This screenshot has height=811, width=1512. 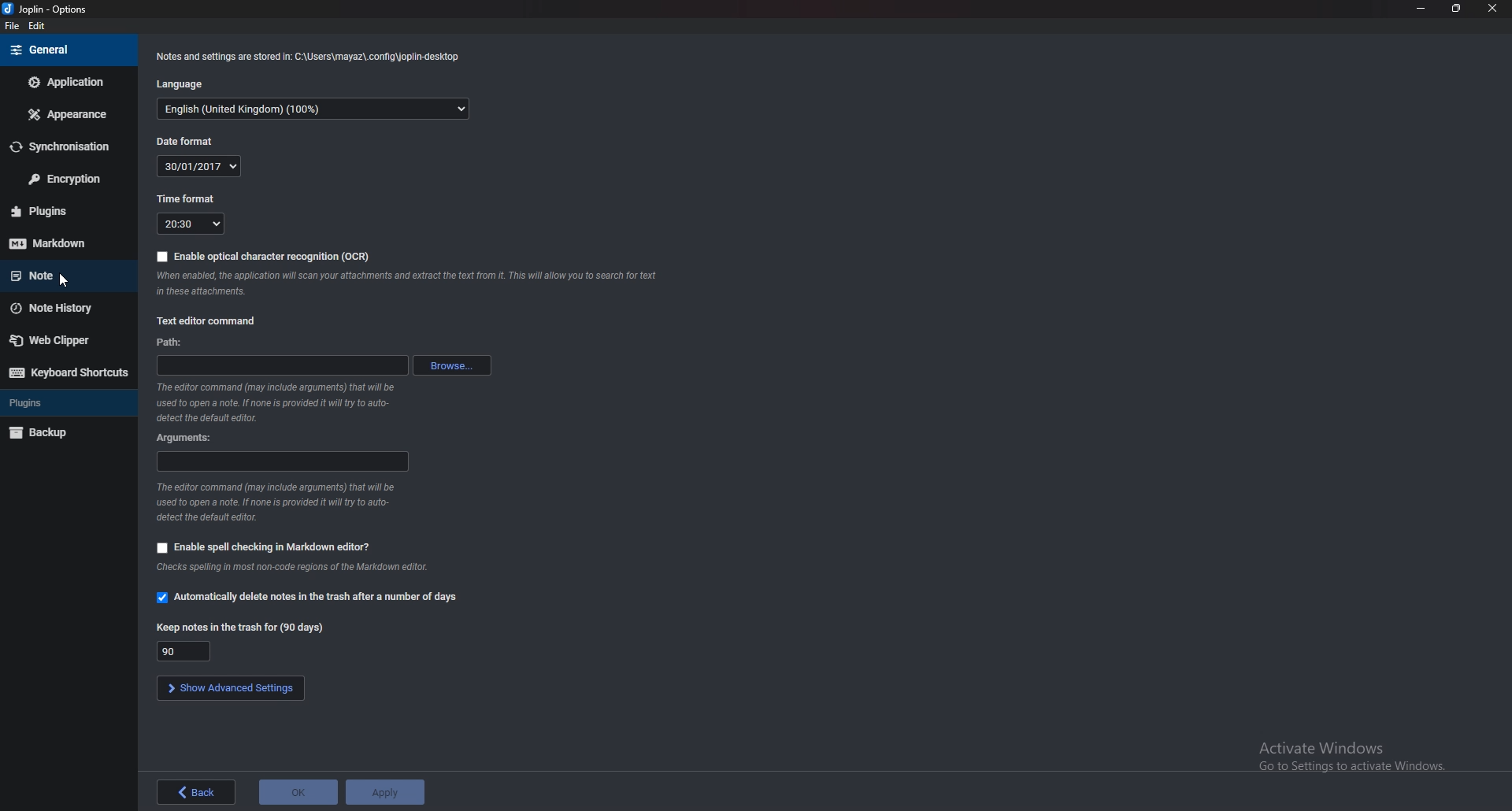 I want to click on Language, so click(x=188, y=82).